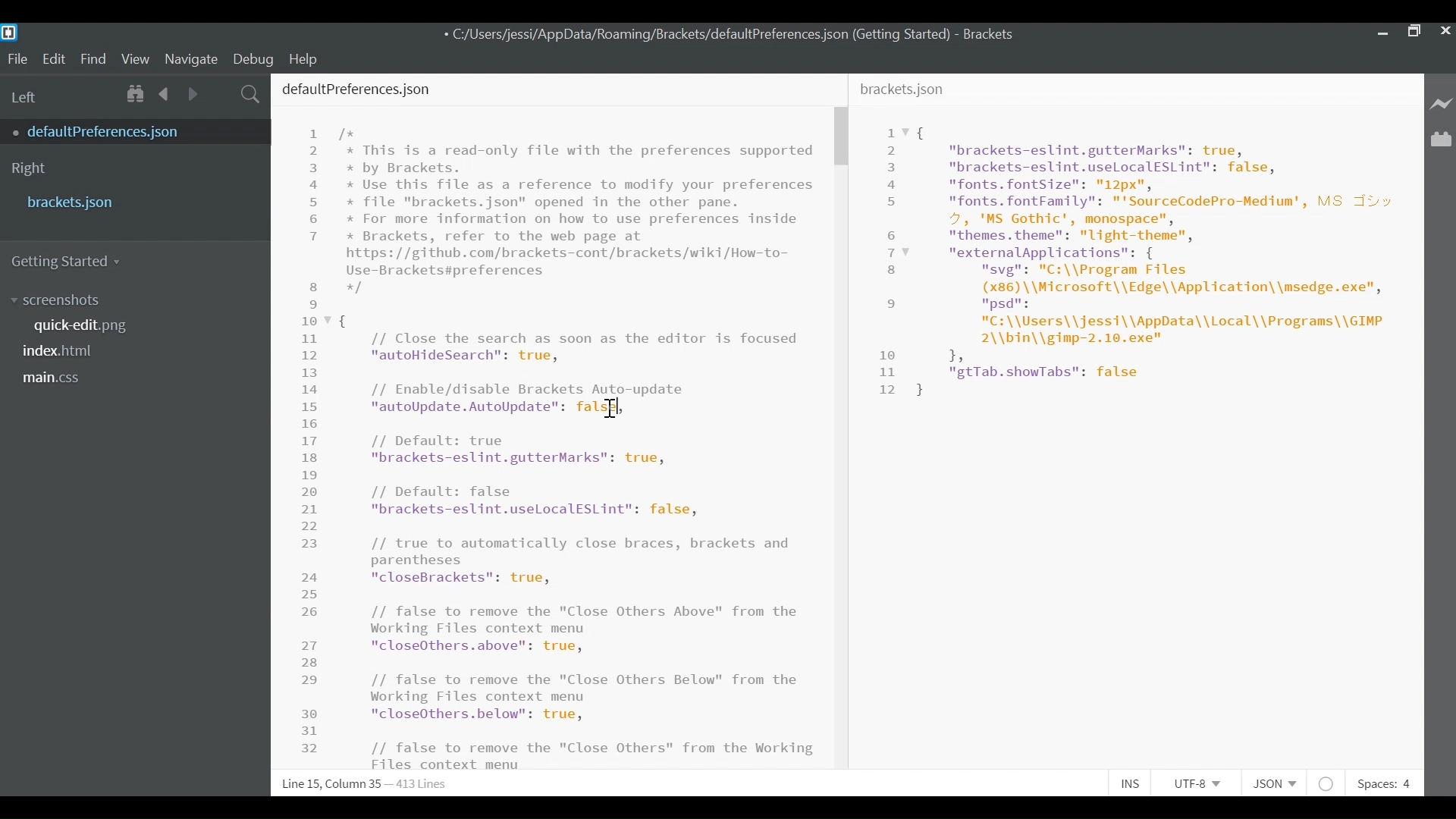 The width and height of the screenshot is (1456, 819). What do you see at coordinates (165, 93) in the screenshot?
I see `Navigate back` at bounding box center [165, 93].